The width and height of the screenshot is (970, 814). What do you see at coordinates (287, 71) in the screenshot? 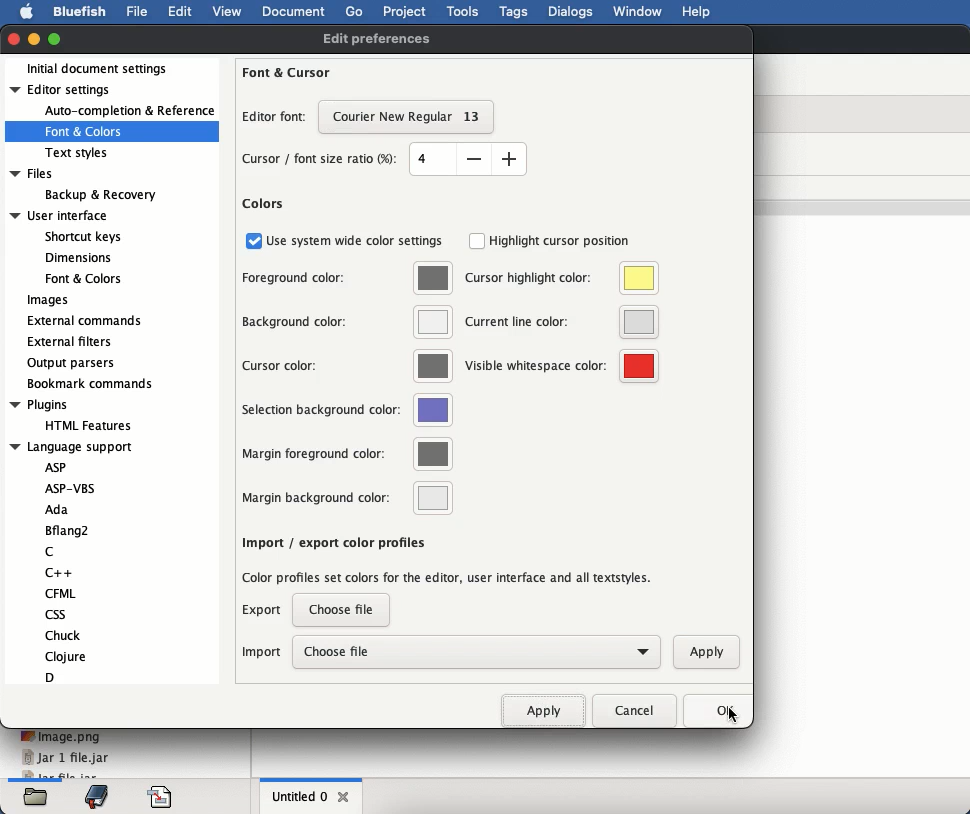
I see `font and cursor` at bounding box center [287, 71].